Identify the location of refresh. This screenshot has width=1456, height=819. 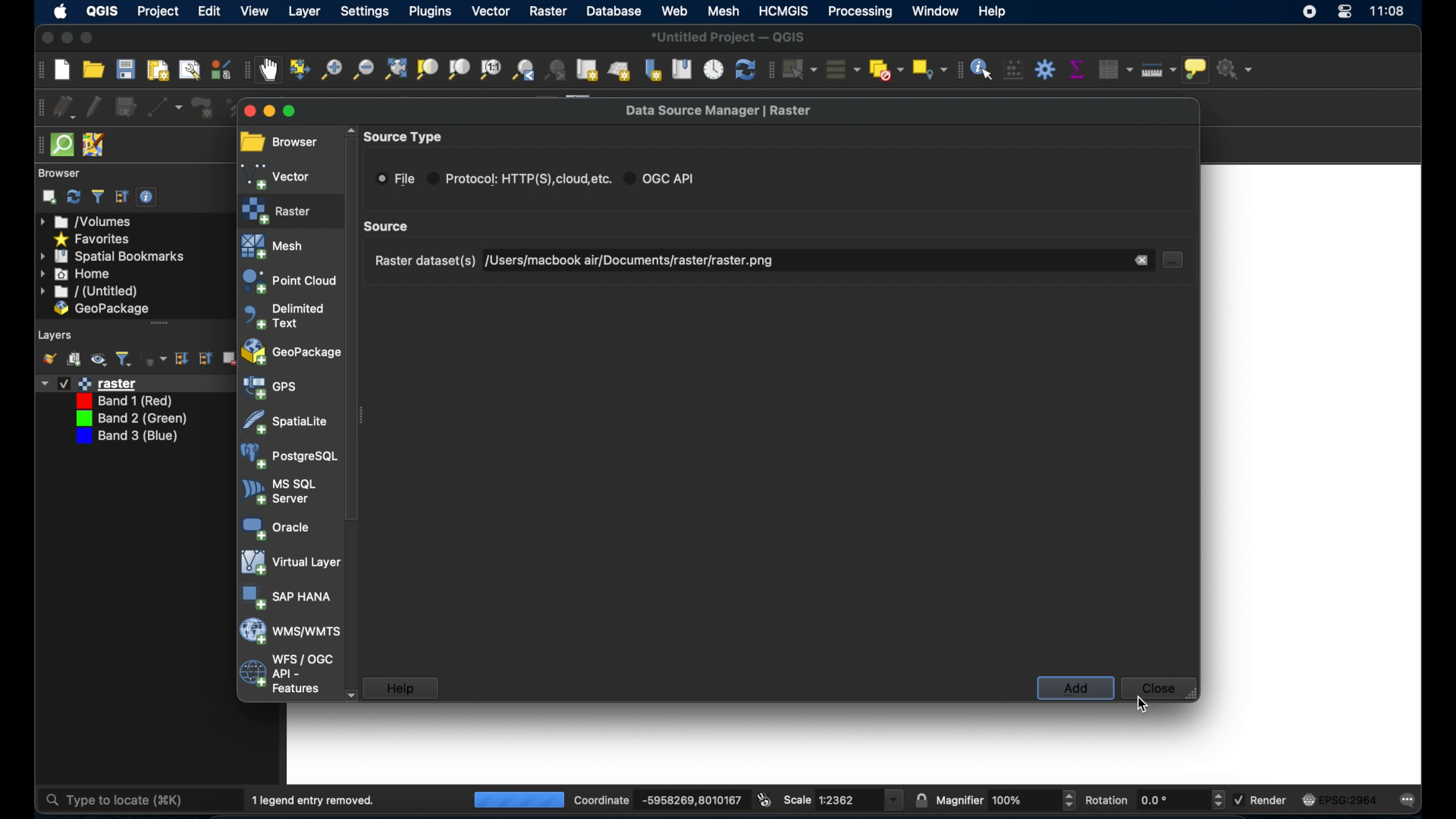
(74, 197).